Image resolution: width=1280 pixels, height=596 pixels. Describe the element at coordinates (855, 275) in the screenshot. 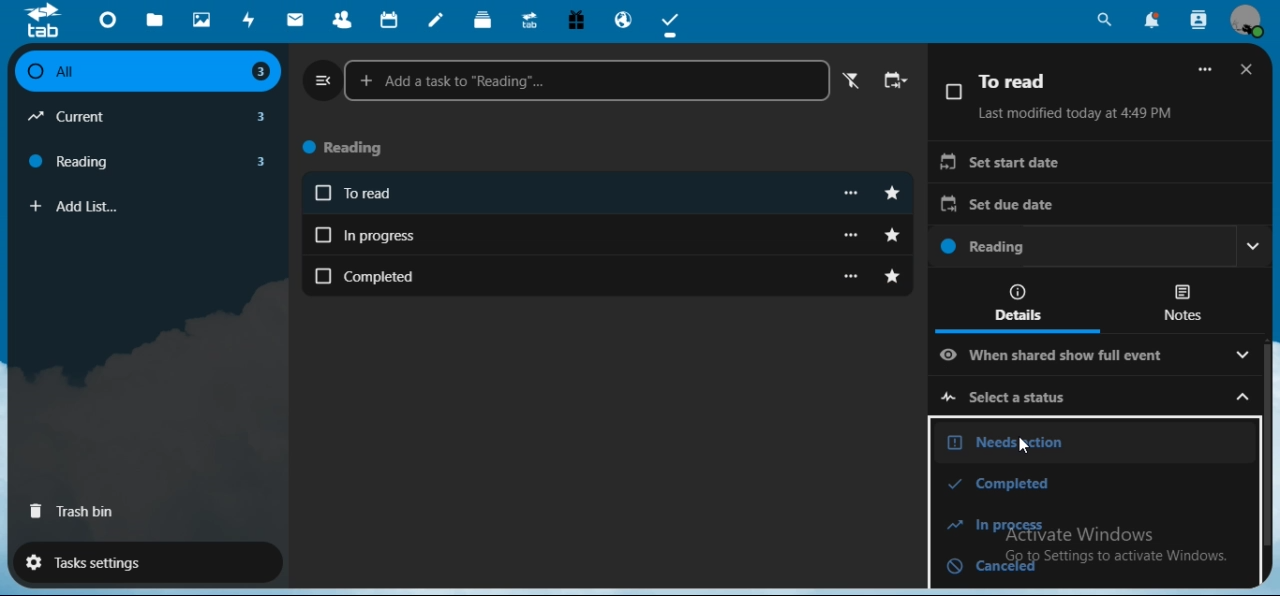

I see `more` at that location.